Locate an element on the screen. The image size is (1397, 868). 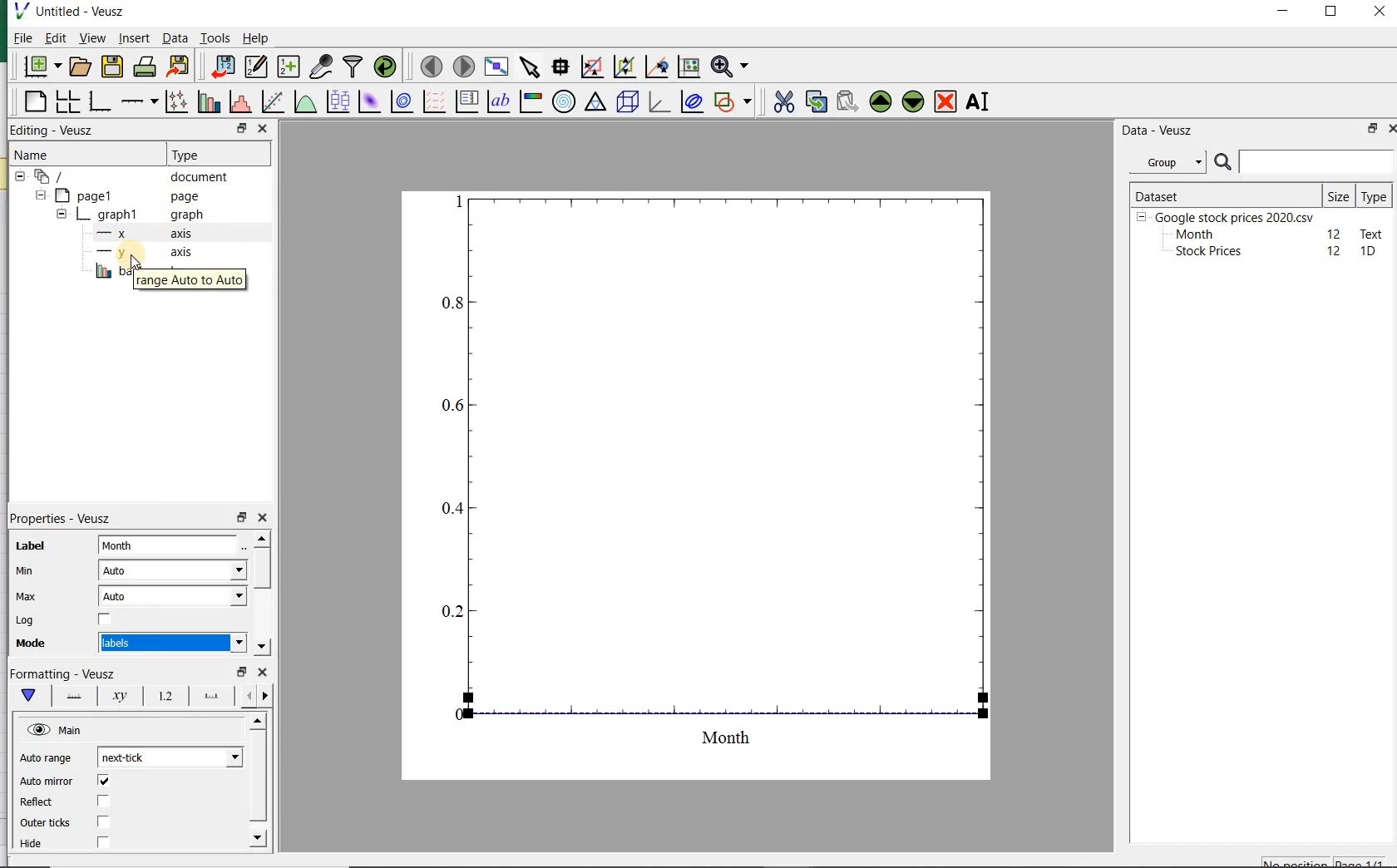
select items from the graph or scroll is located at coordinates (529, 67).